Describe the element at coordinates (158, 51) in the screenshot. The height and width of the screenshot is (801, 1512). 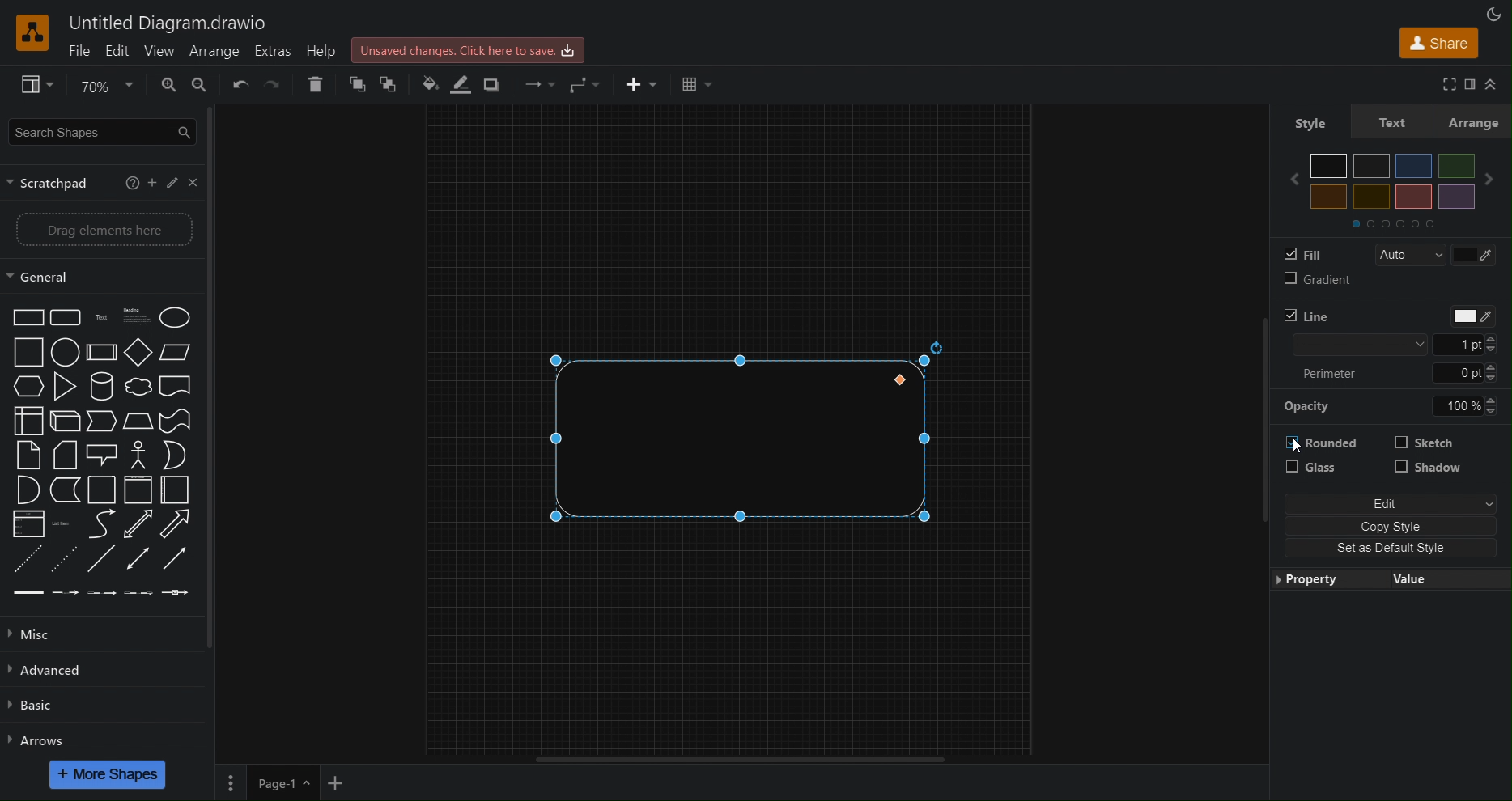
I see `View` at that location.